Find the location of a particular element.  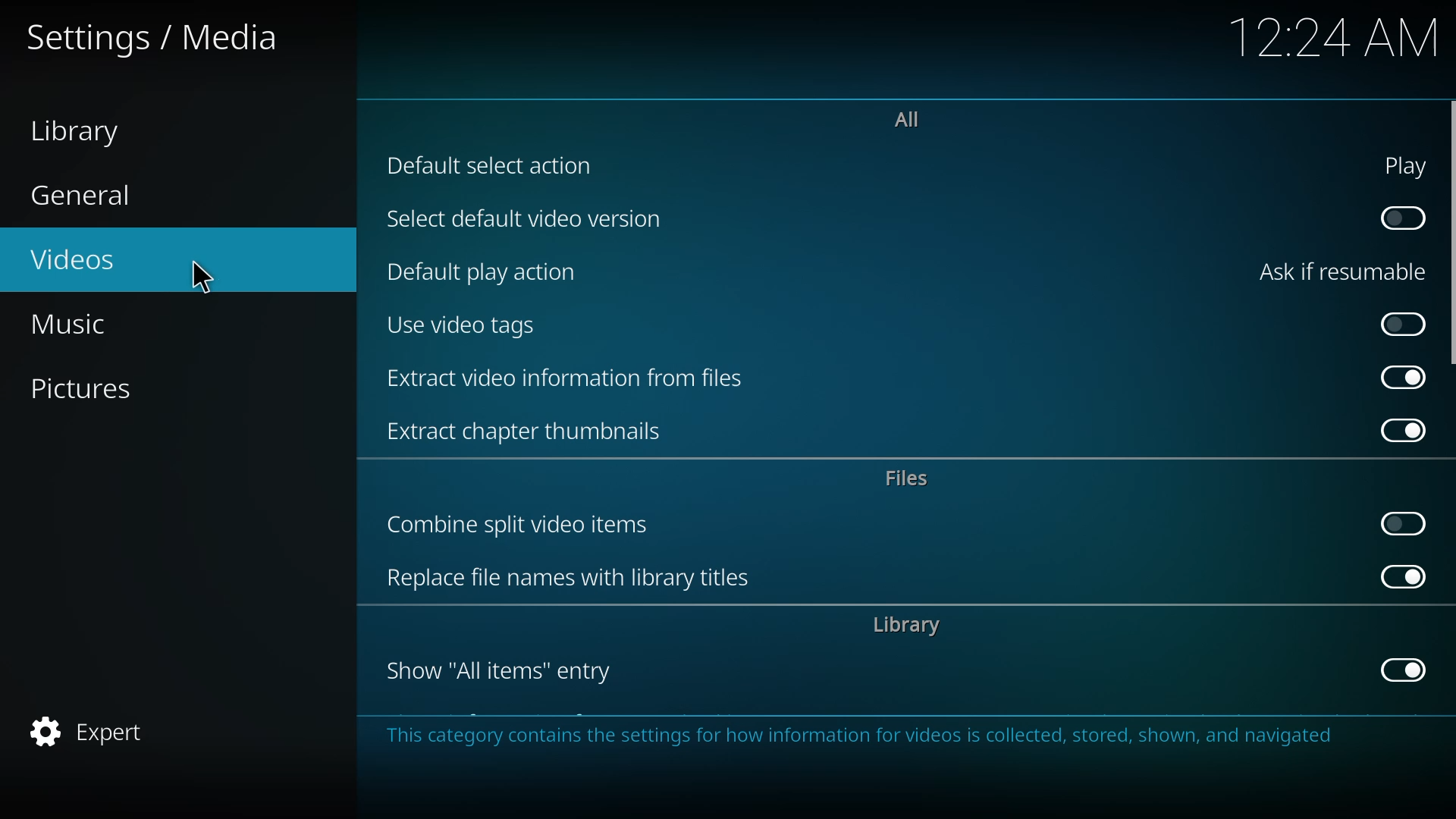

extract chapter thumbnails is located at coordinates (530, 431).